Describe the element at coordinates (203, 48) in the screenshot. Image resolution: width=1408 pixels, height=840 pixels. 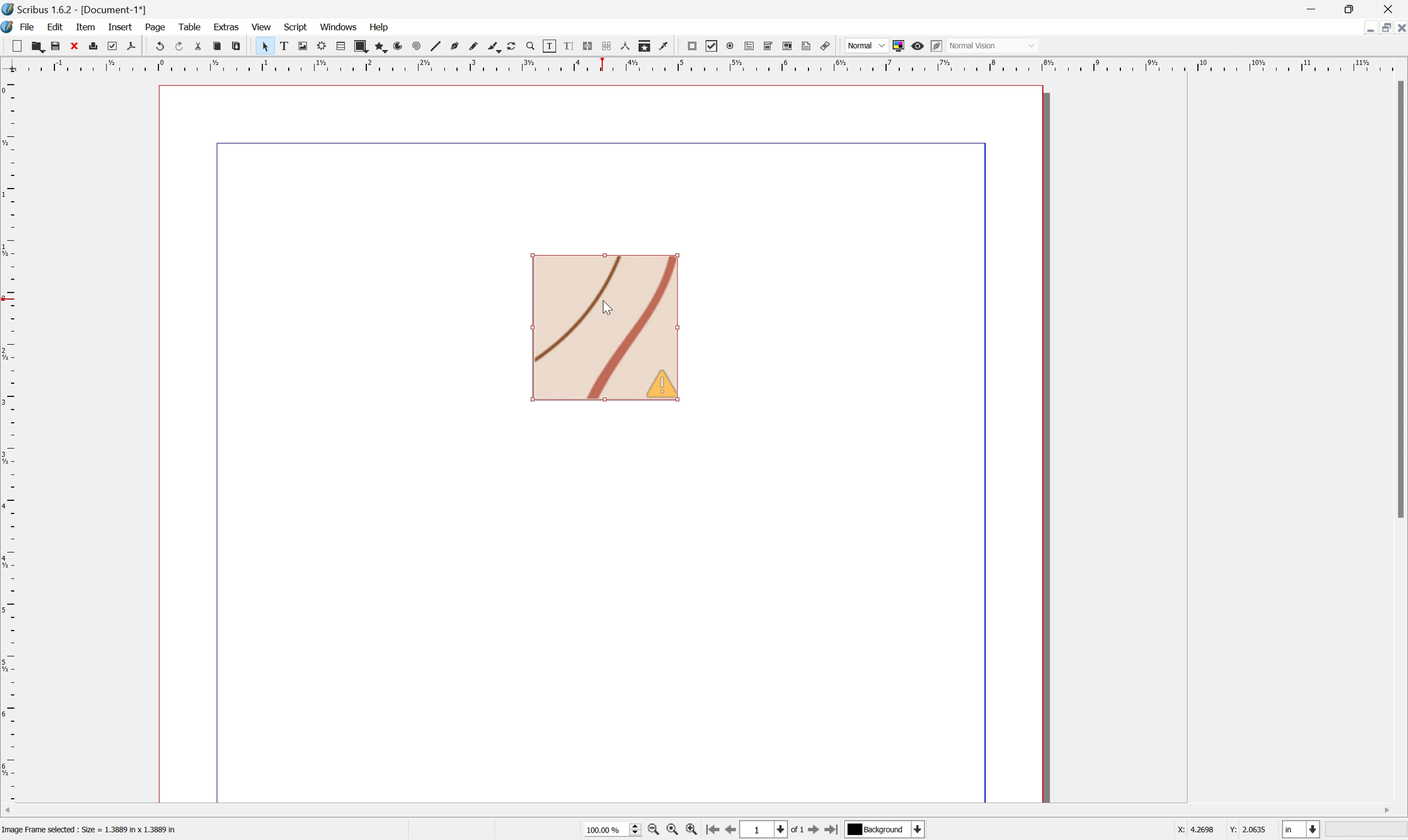
I see `Cut` at that location.